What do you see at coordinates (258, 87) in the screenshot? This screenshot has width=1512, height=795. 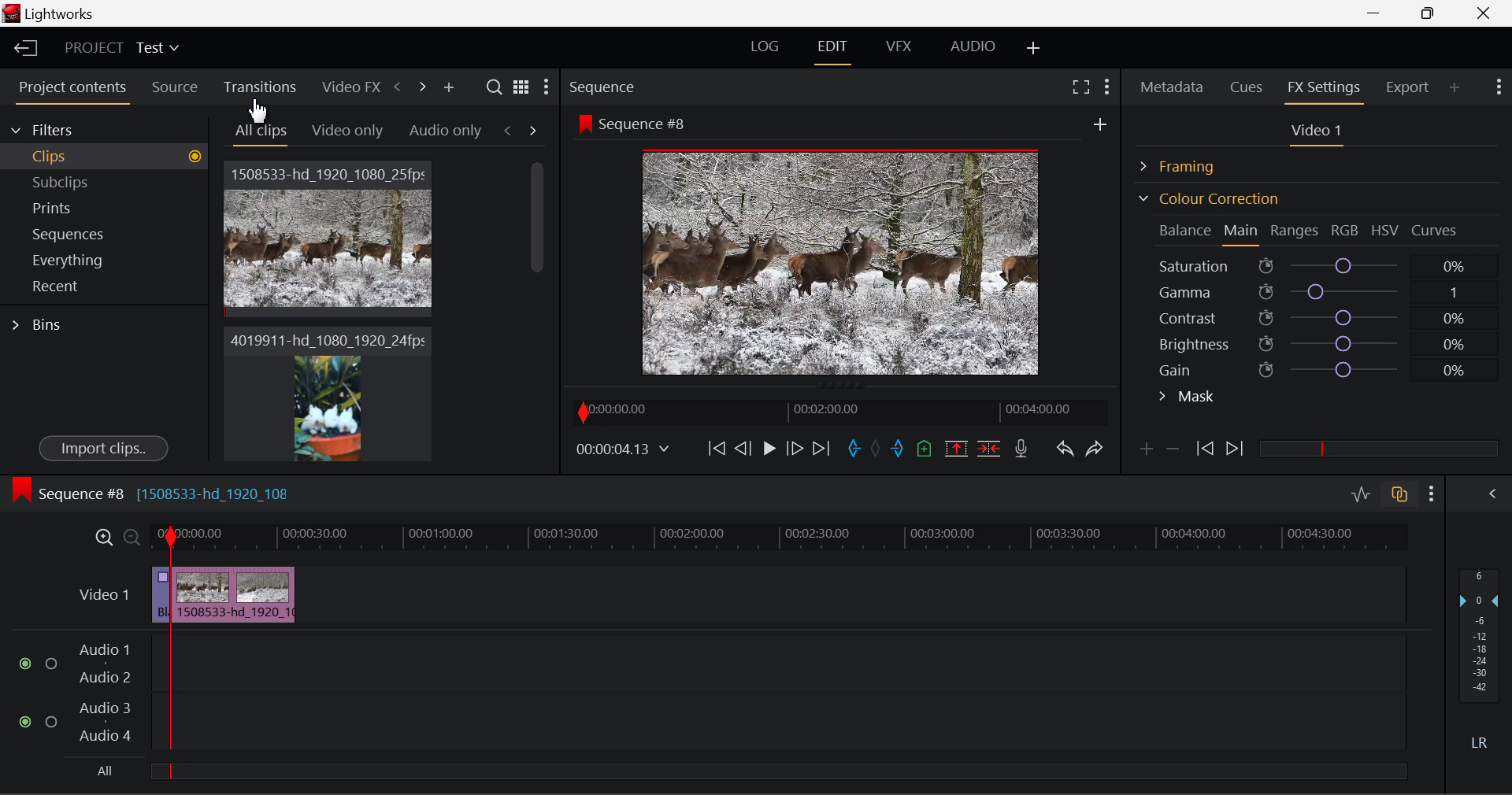 I see `Transitions` at bounding box center [258, 87].